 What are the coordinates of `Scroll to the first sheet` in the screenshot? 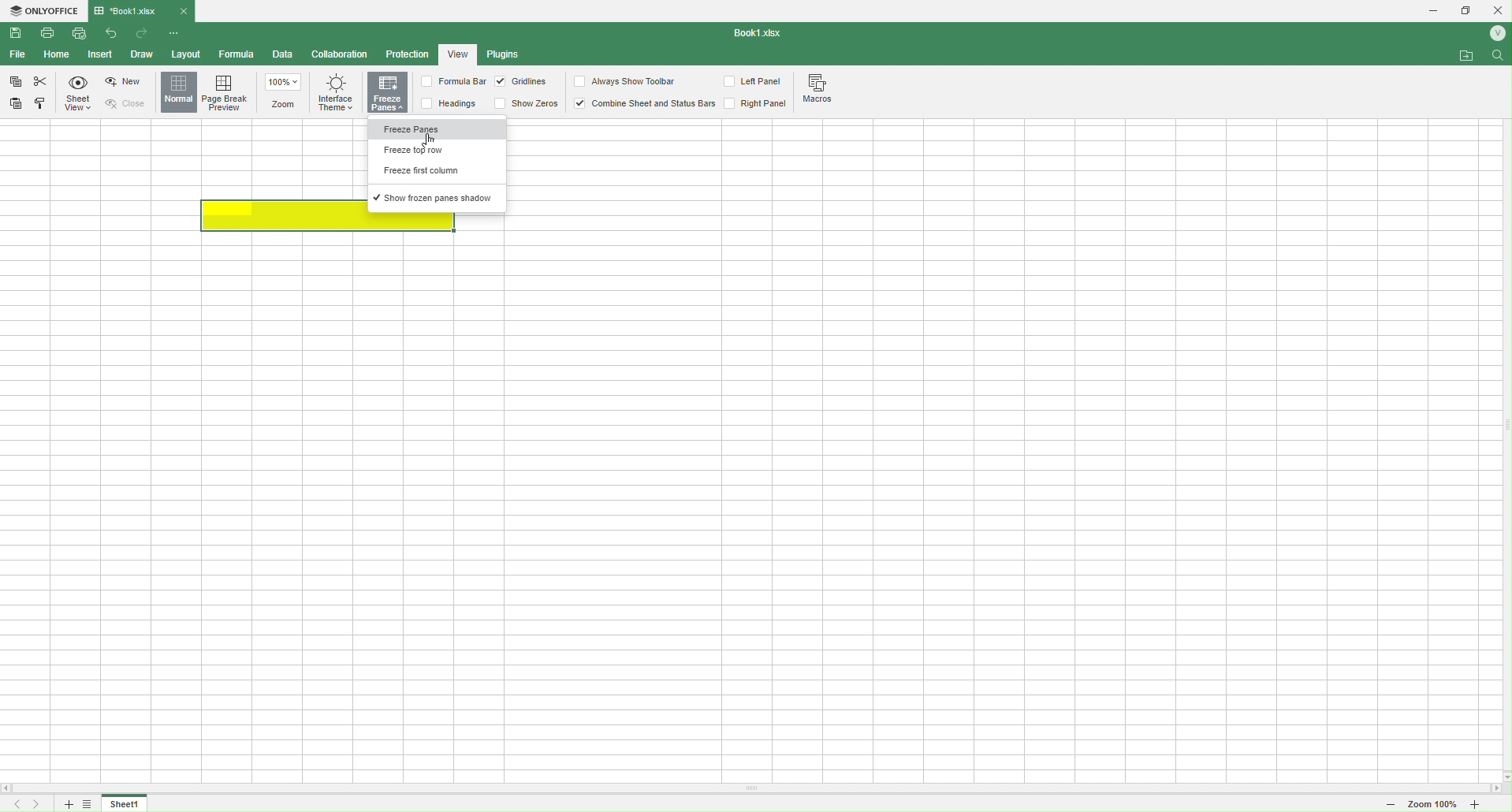 It's located at (14, 805).